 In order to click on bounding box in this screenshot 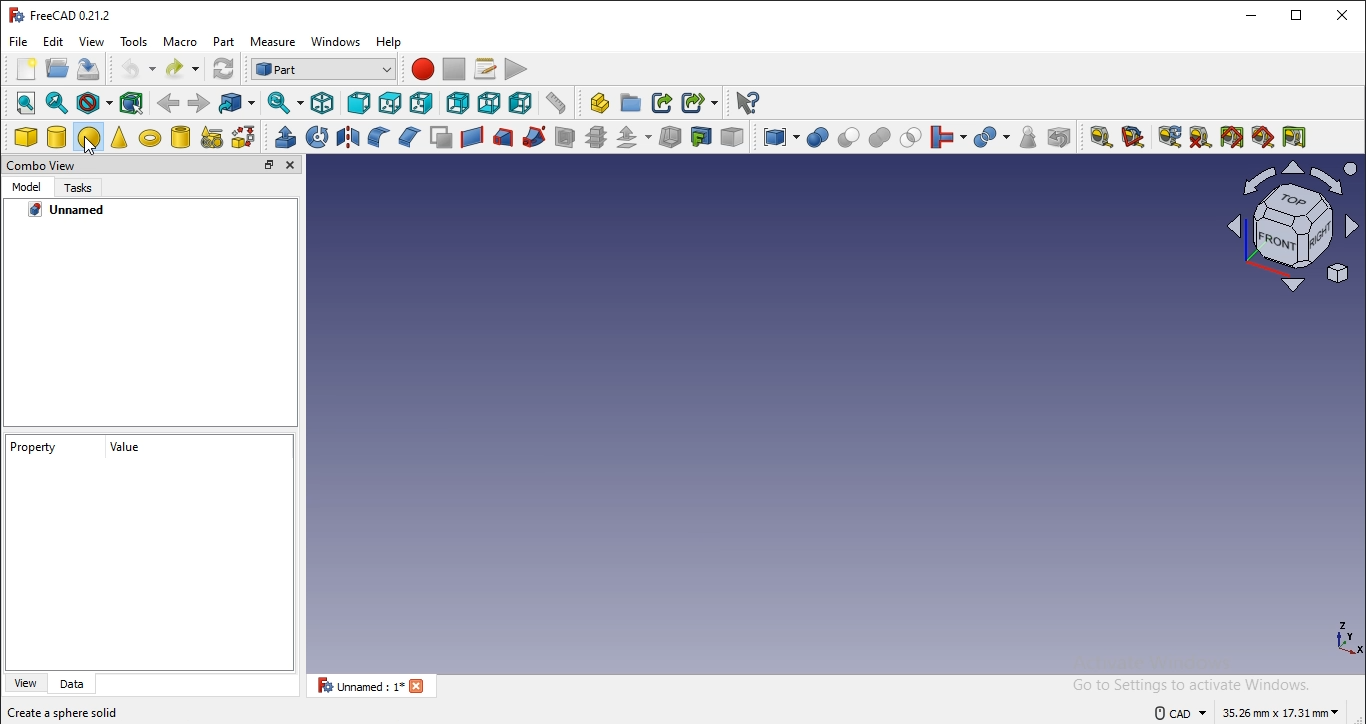, I will do `click(129, 103)`.